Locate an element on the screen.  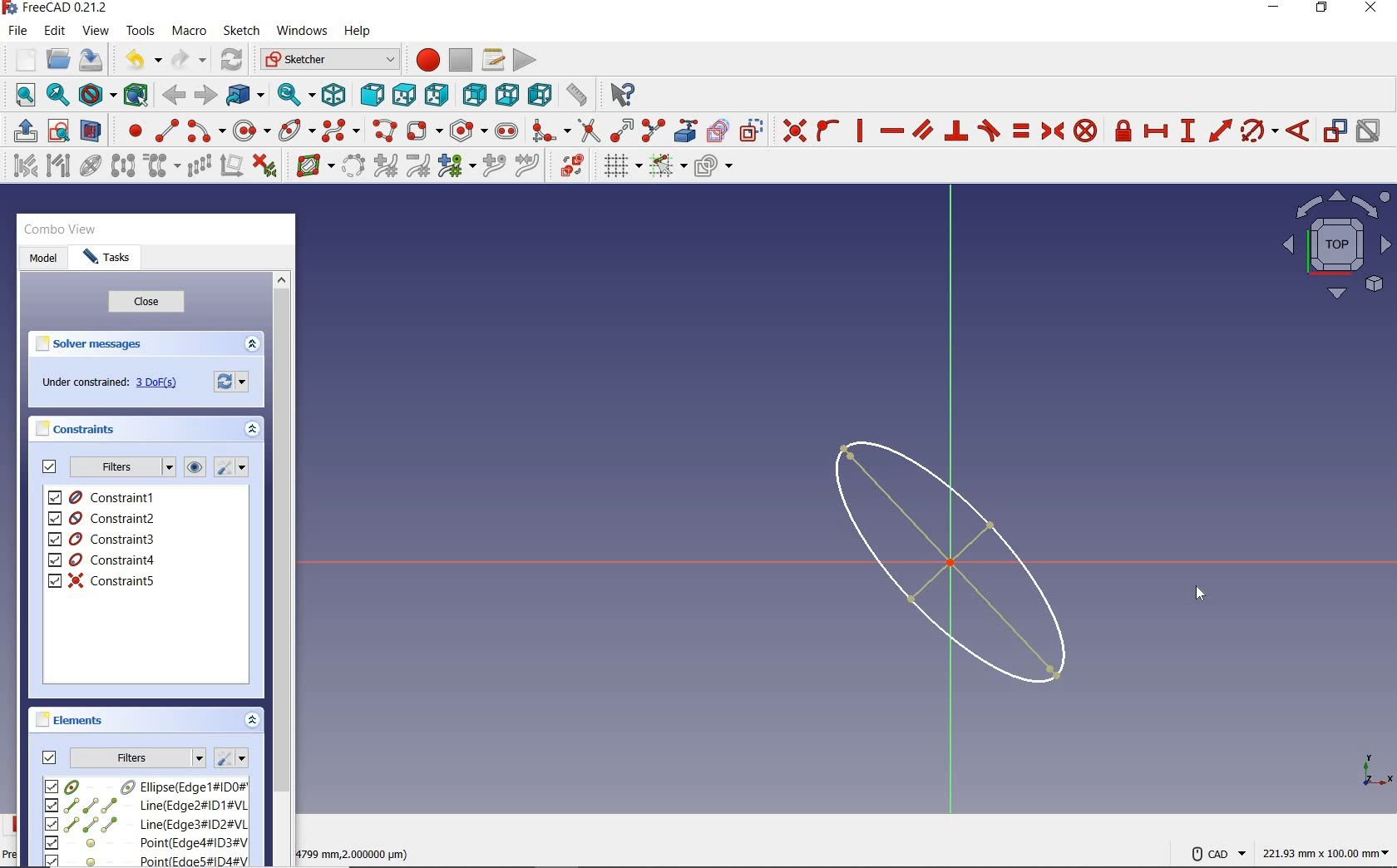
show/hide all listed constraints is located at coordinates (192, 468).